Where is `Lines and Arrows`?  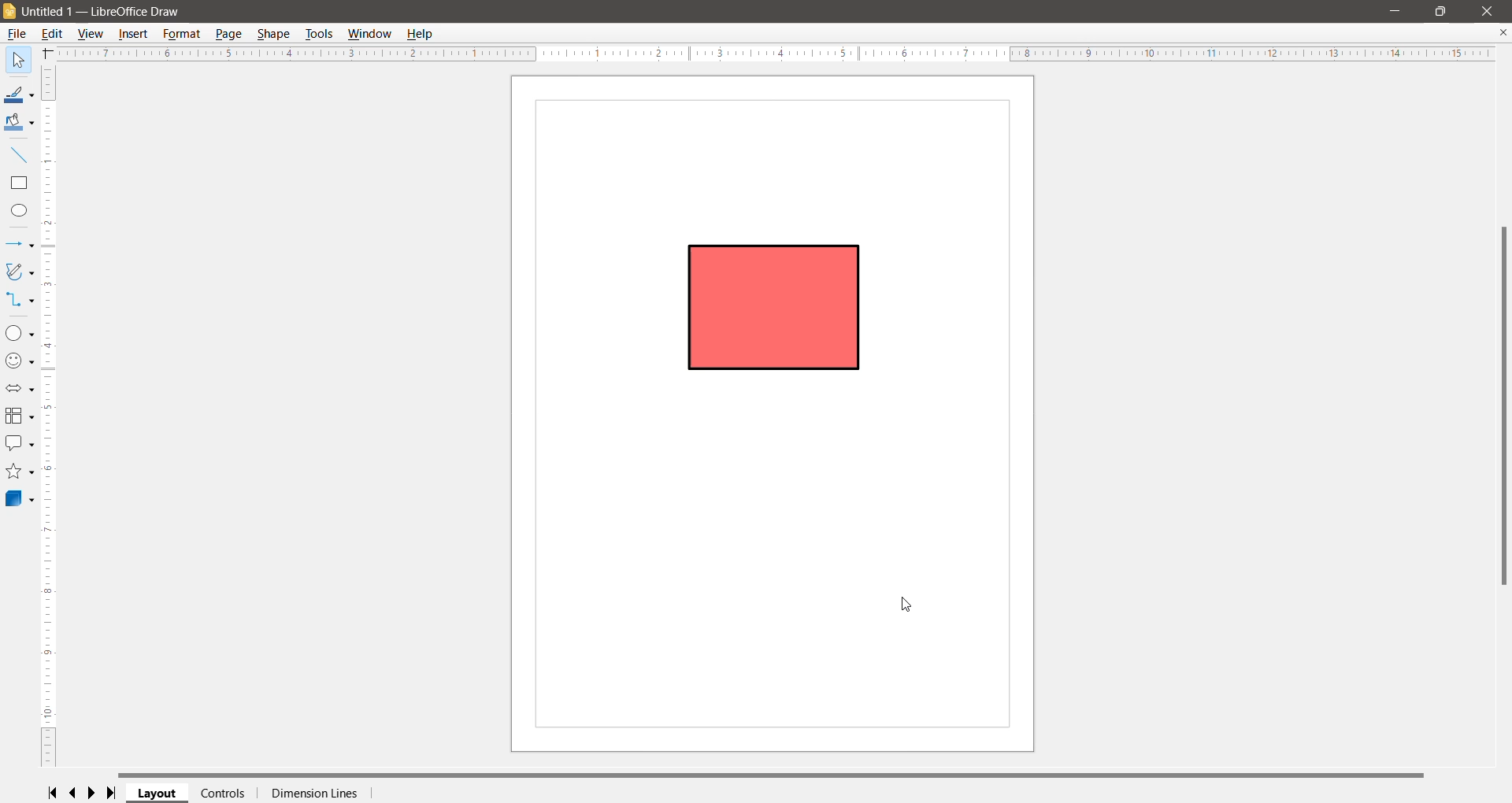
Lines and Arrows is located at coordinates (20, 245).